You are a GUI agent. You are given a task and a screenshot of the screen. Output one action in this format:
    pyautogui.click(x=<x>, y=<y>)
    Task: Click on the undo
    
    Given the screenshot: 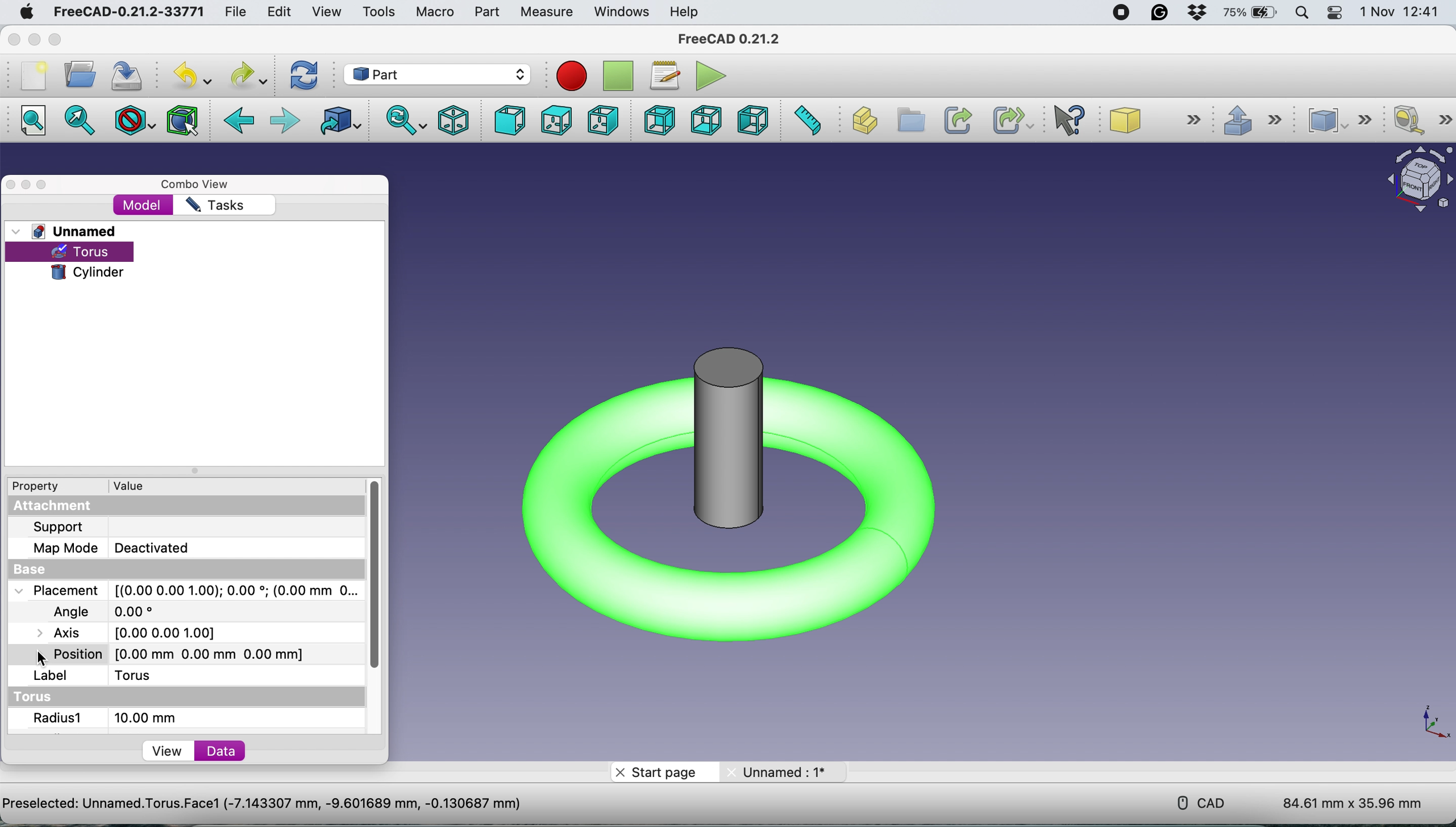 What is the action you would take?
    pyautogui.click(x=190, y=76)
    